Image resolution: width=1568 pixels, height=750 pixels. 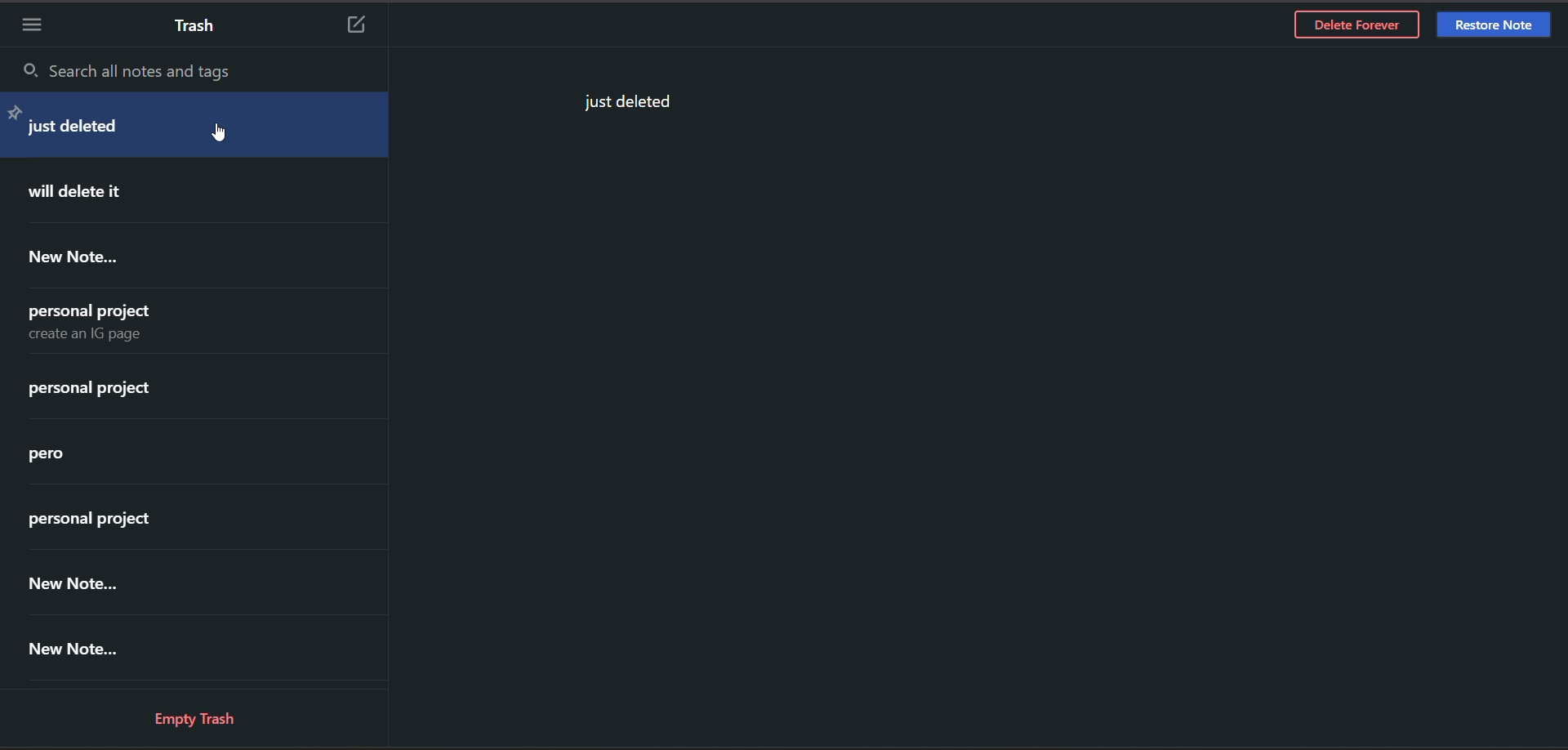 What do you see at coordinates (87, 259) in the screenshot?
I see `deleted note title 3` at bounding box center [87, 259].